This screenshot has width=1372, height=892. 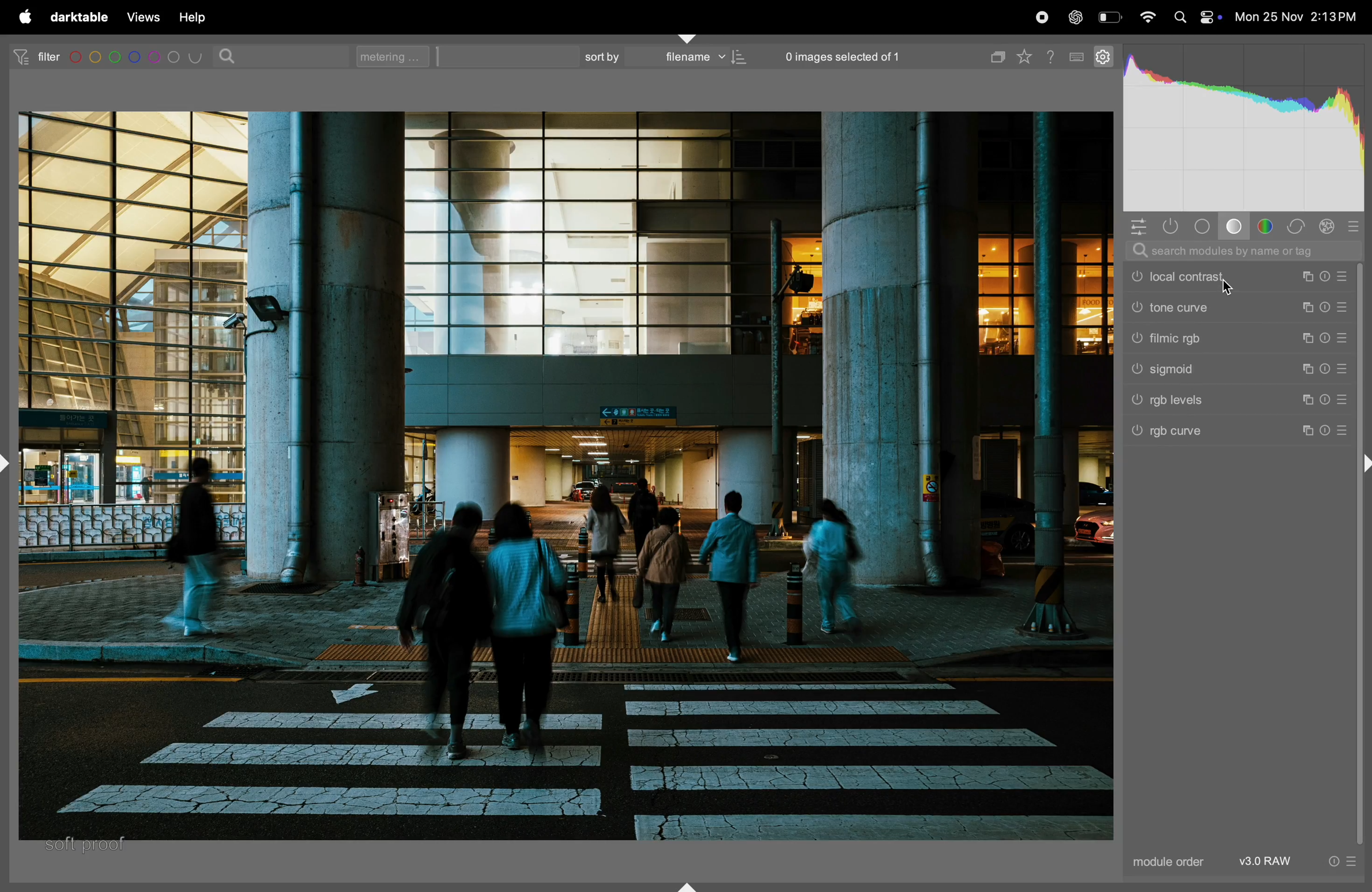 I want to click on tone, so click(x=1204, y=225).